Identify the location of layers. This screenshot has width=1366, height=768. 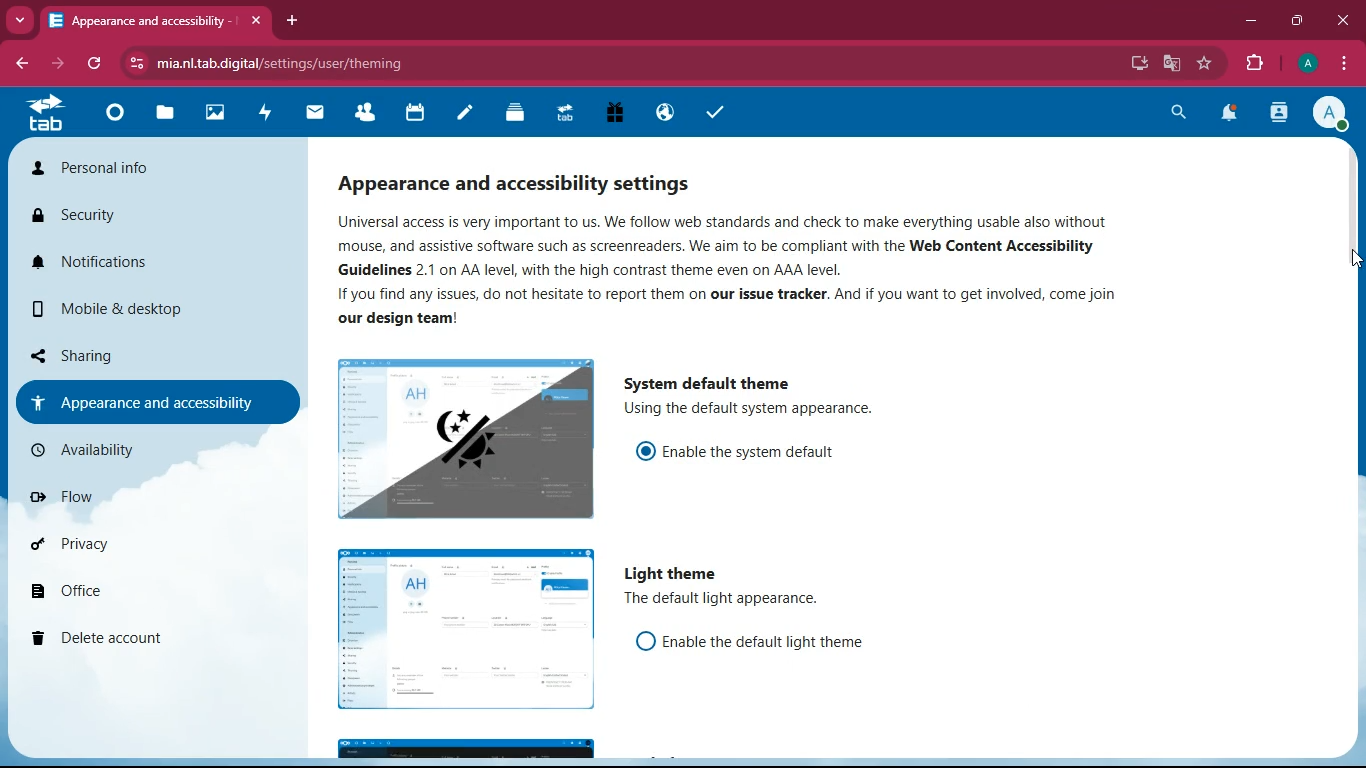
(508, 113).